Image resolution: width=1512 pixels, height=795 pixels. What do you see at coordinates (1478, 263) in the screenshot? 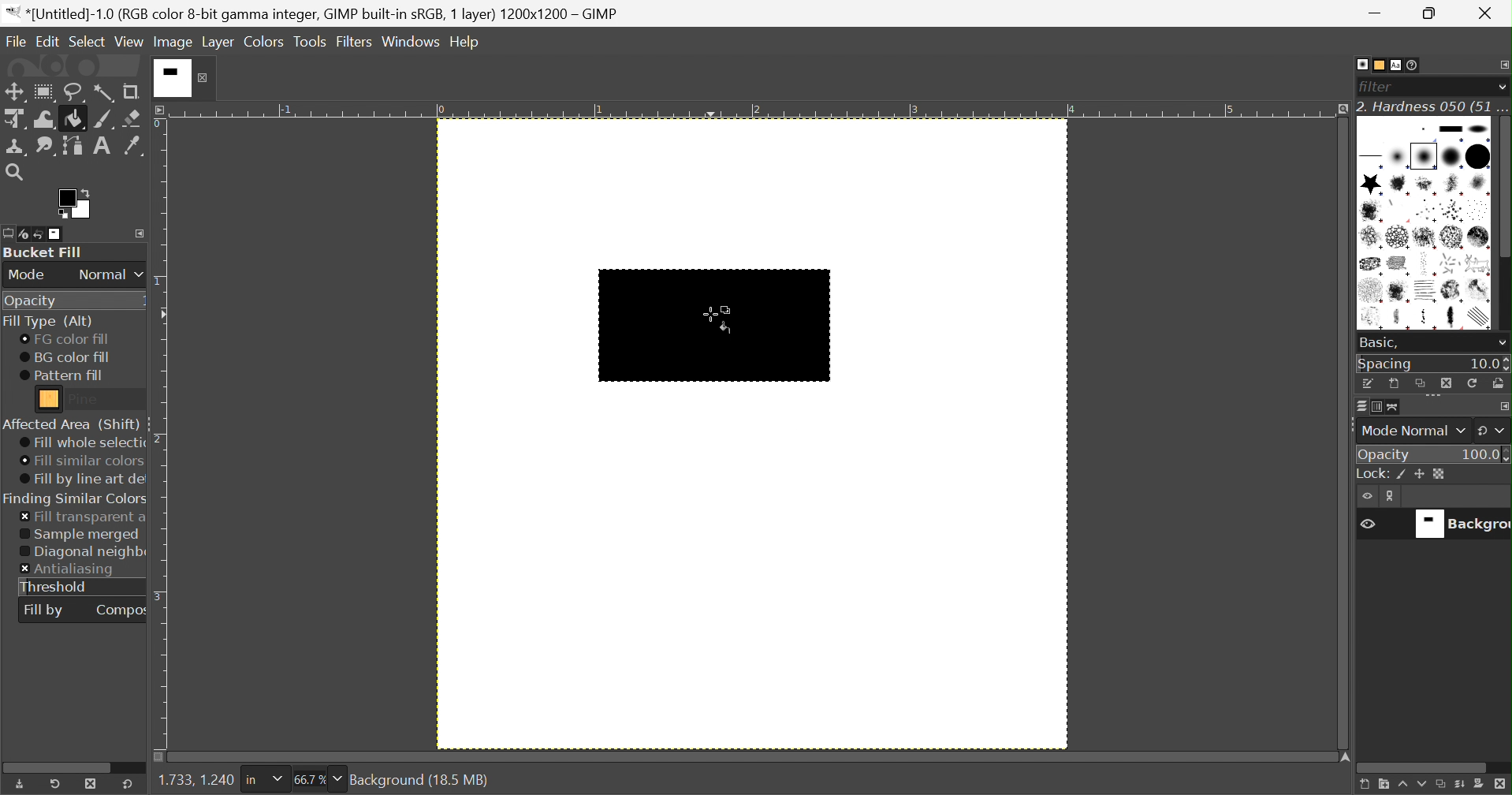
I see `GEGL goat` at bounding box center [1478, 263].